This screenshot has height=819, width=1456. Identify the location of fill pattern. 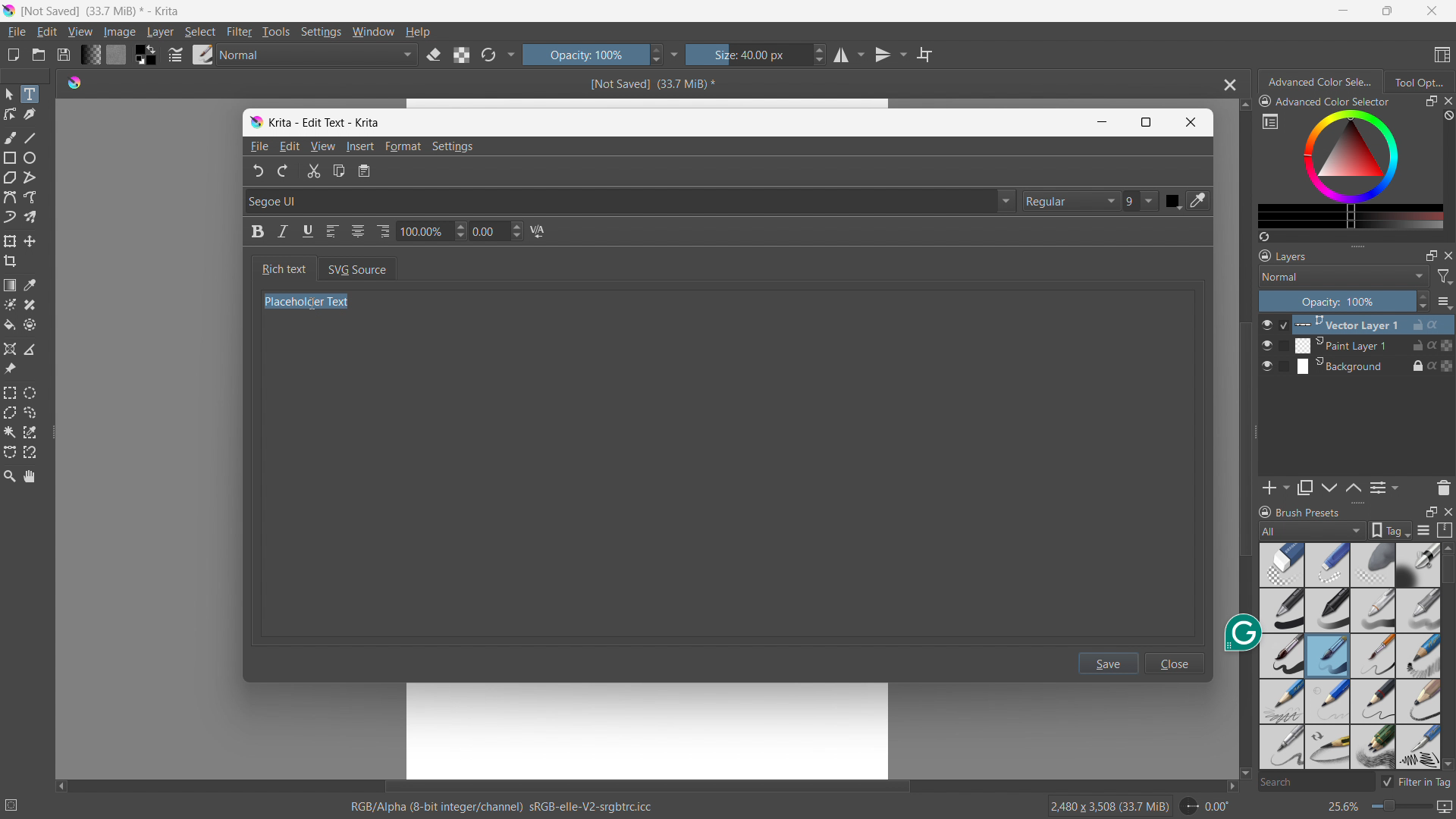
(117, 54).